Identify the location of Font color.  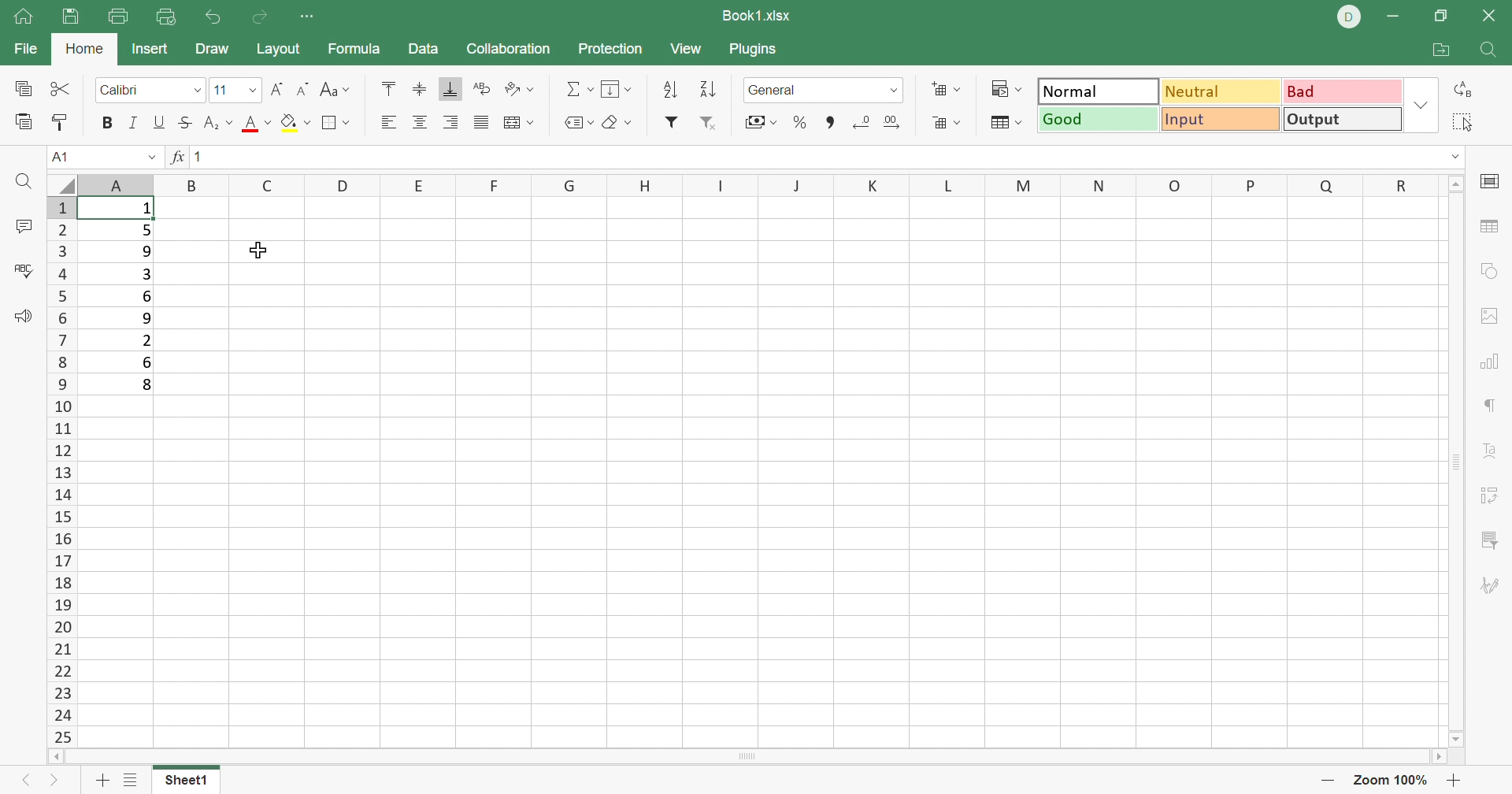
(254, 123).